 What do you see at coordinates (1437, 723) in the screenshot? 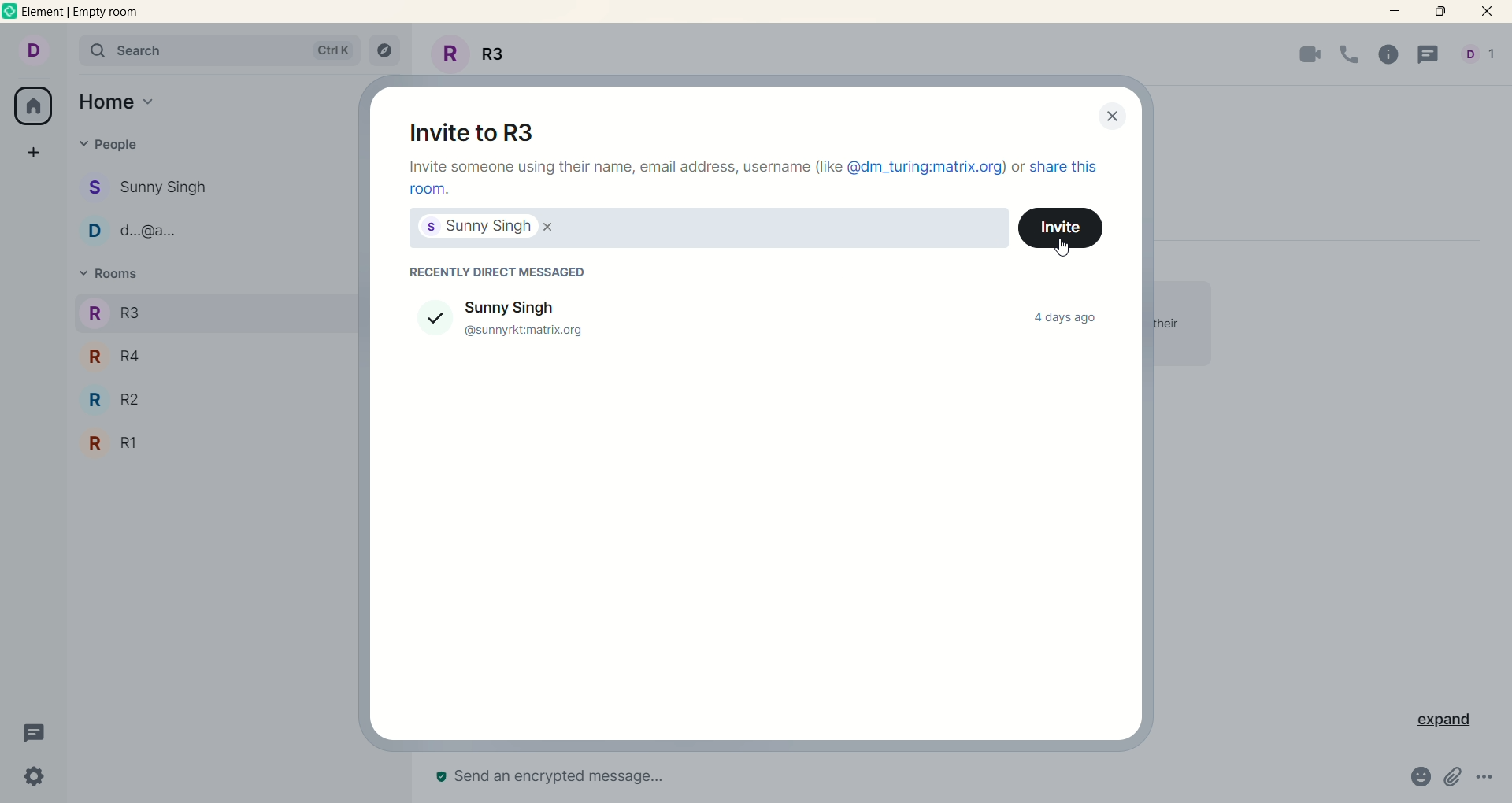
I see `expand` at bounding box center [1437, 723].